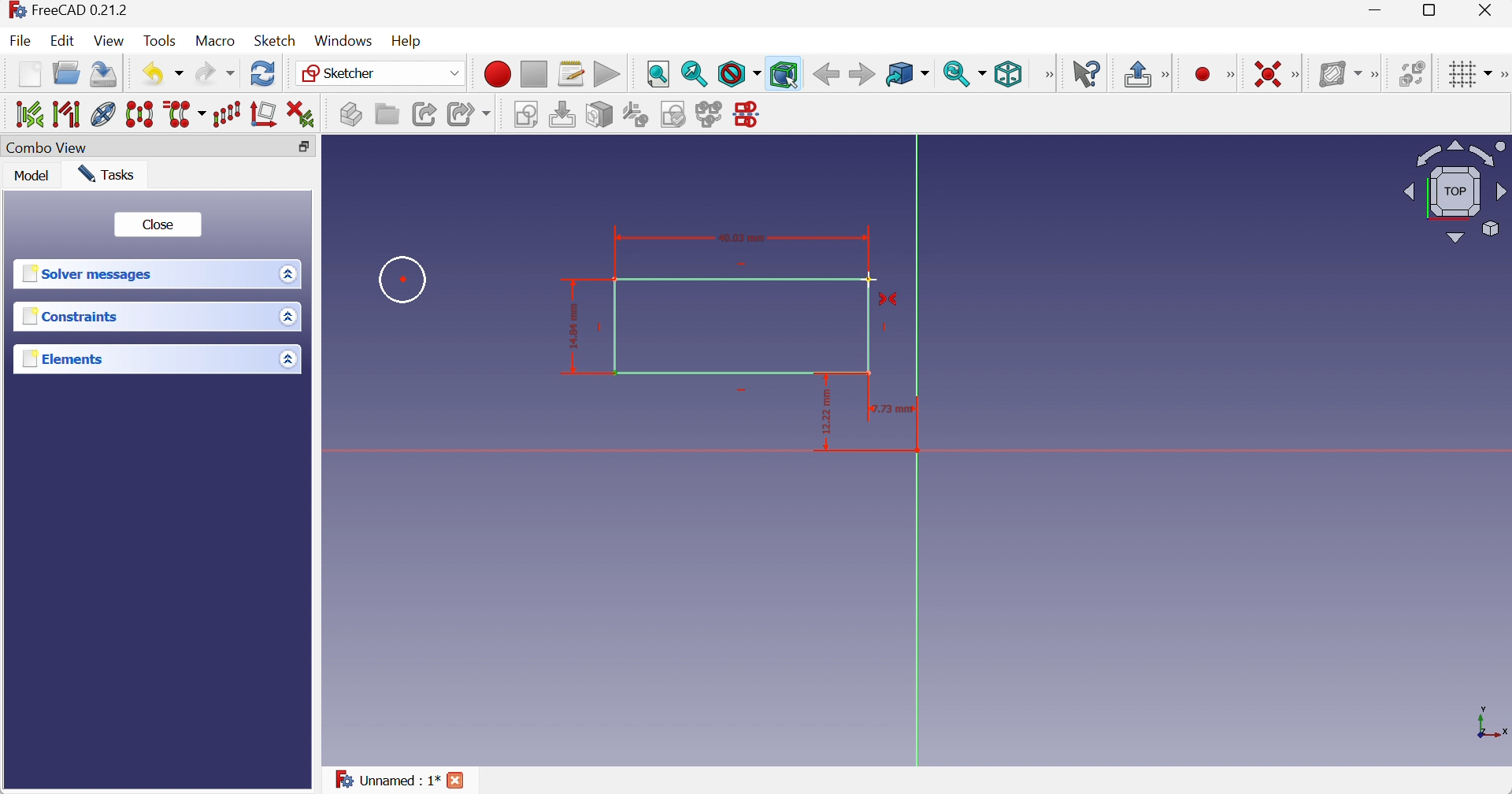 This screenshot has height=794, width=1512. What do you see at coordinates (90, 273) in the screenshot?
I see `Solver messages` at bounding box center [90, 273].